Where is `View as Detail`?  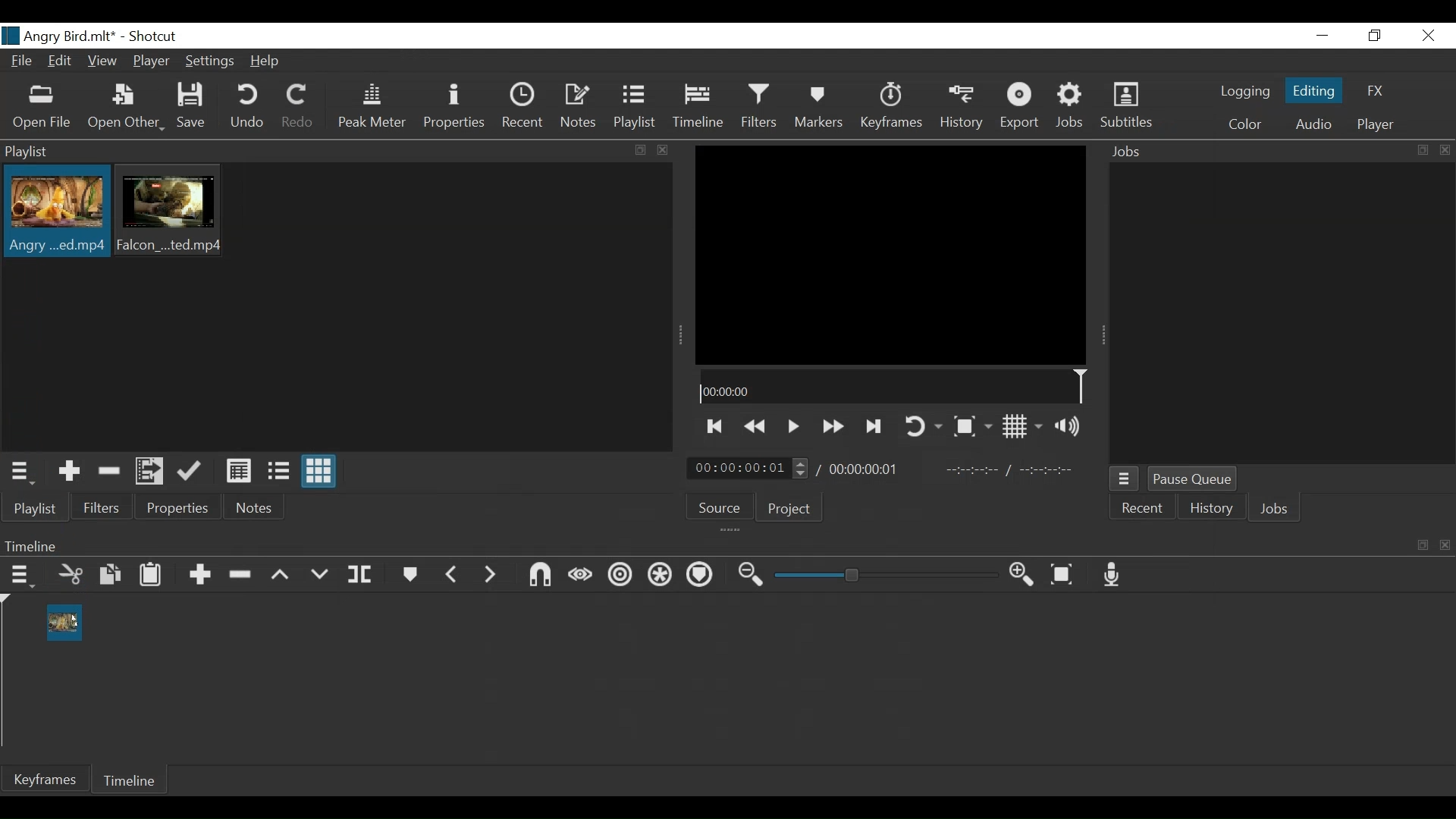
View as Detail is located at coordinates (238, 471).